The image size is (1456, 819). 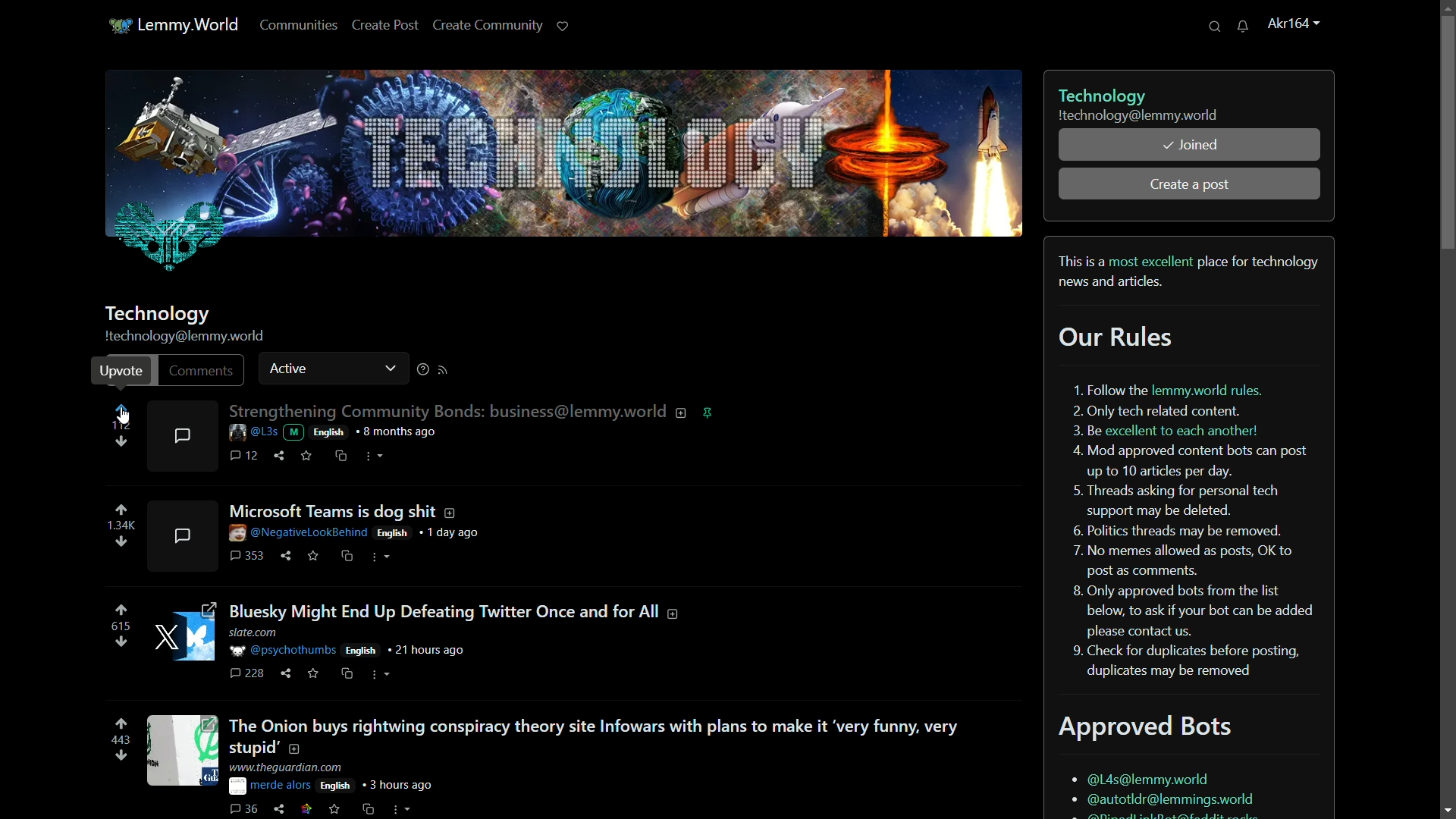 What do you see at coordinates (124, 409) in the screenshot?
I see `upvote` at bounding box center [124, 409].